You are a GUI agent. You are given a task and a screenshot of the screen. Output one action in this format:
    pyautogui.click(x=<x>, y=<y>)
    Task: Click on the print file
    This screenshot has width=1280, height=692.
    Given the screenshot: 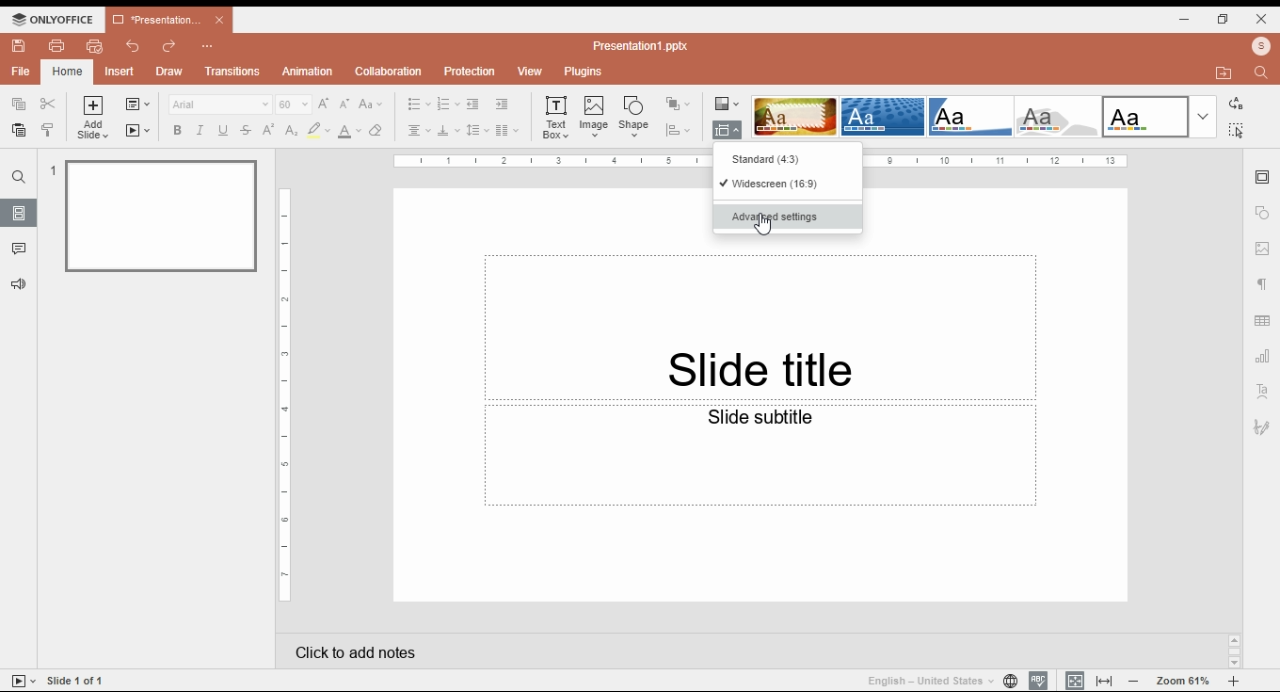 What is the action you would take?
    pyautogui.click(x=57, y=46)
    